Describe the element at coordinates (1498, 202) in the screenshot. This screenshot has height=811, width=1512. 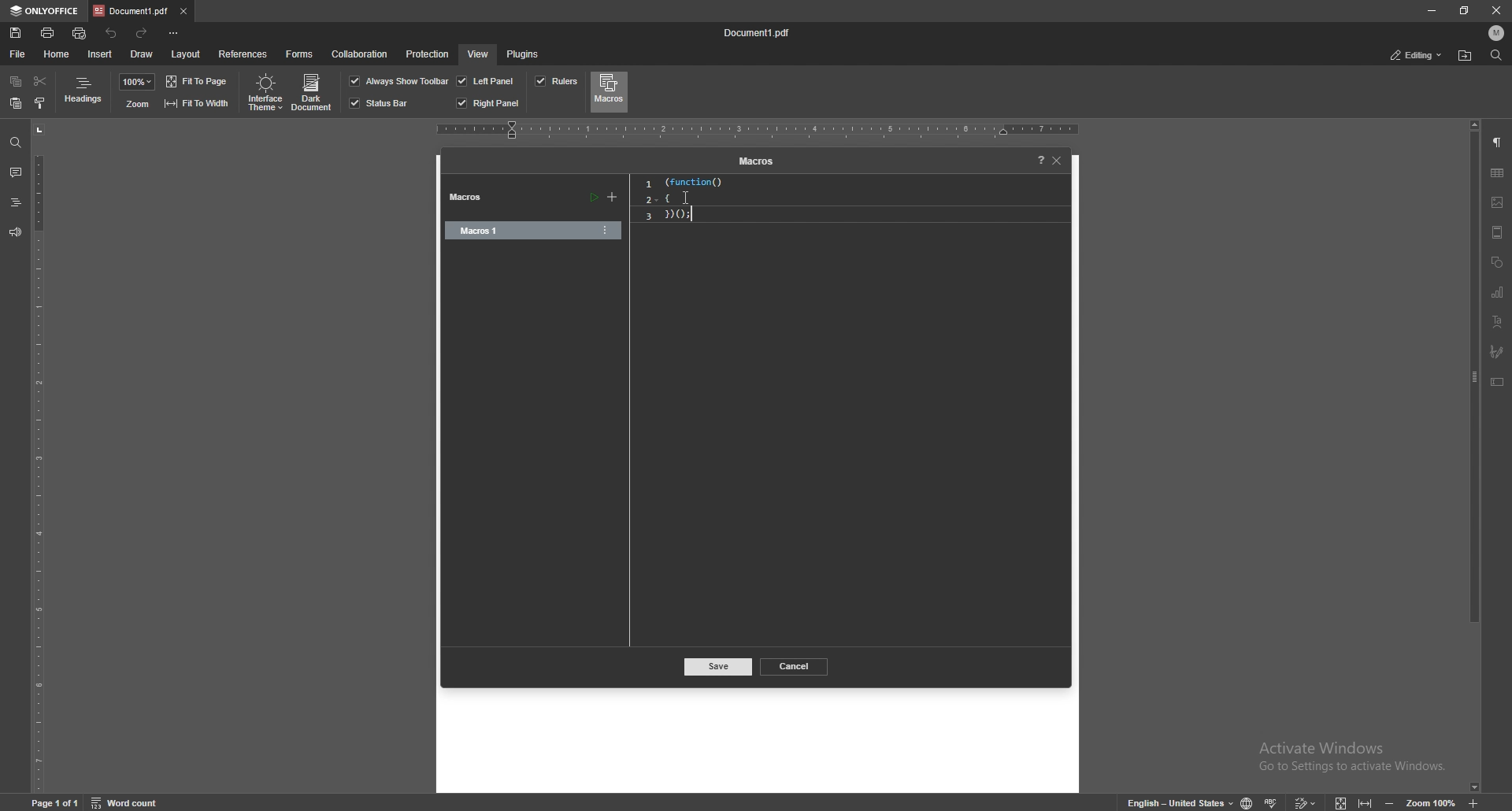
I see `image` at that location.